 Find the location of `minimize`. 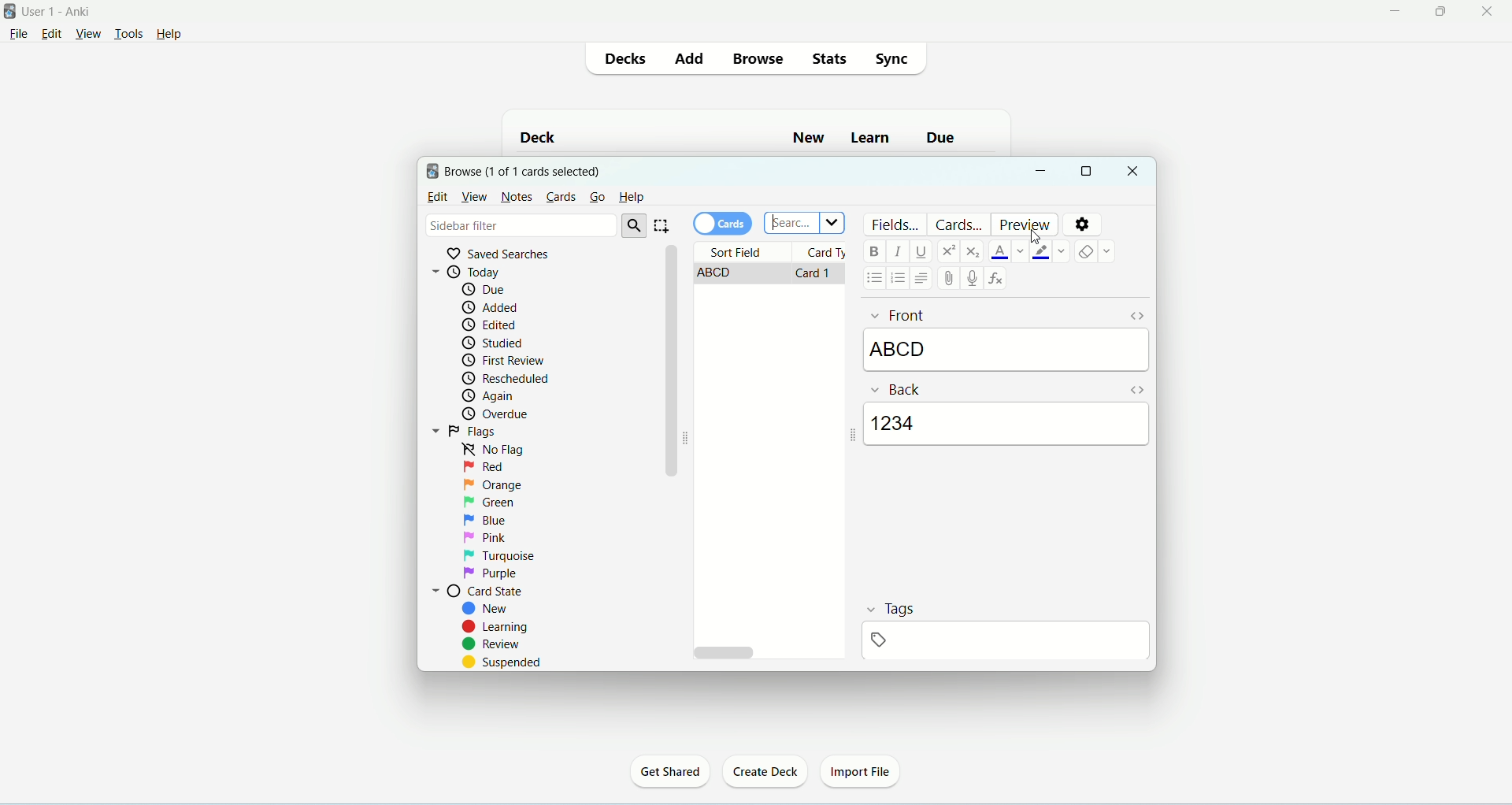

minimize is located at coordinates (1395, 12).